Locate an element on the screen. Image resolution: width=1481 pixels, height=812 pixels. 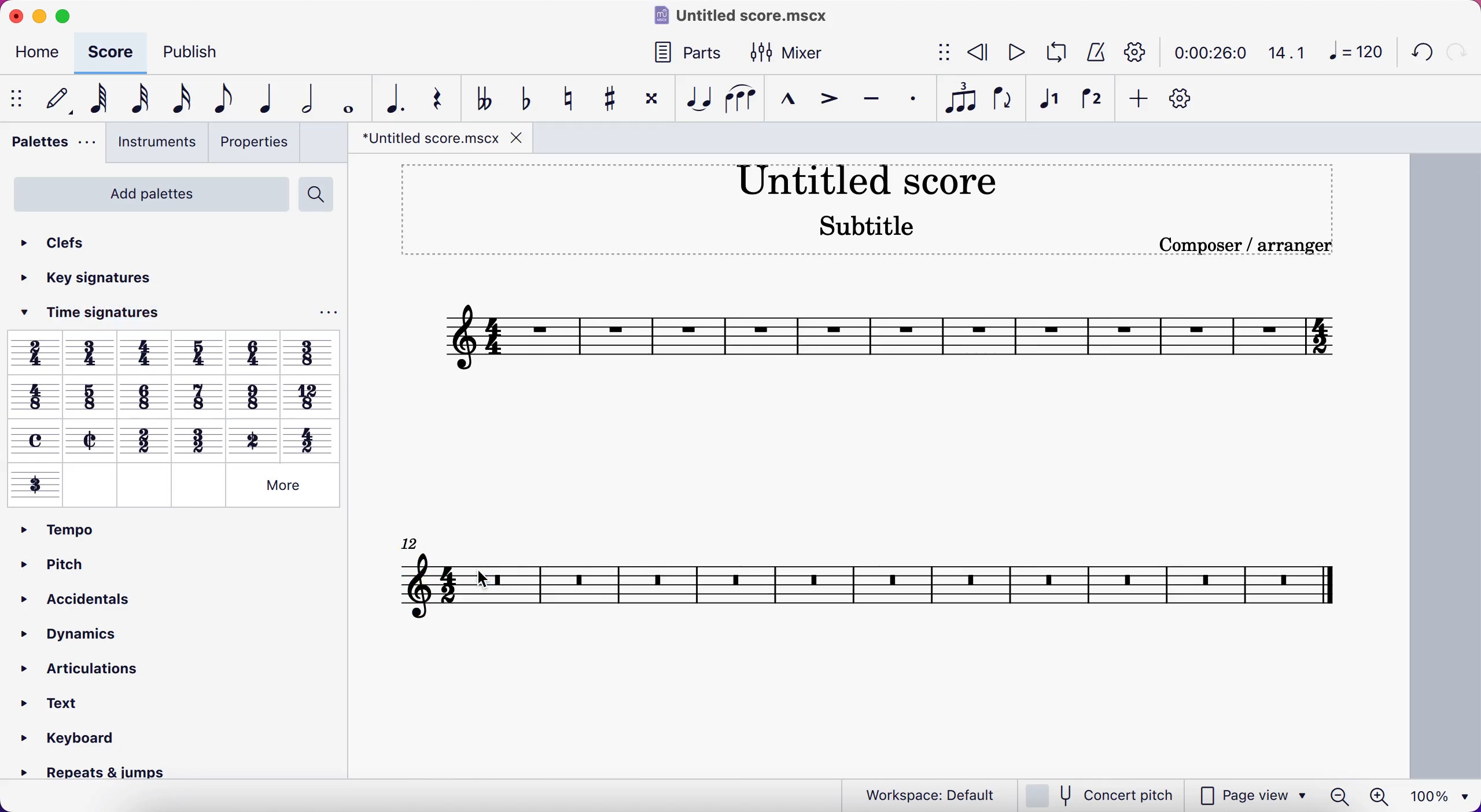
toggle double flat is located at coordinates (480, 97).